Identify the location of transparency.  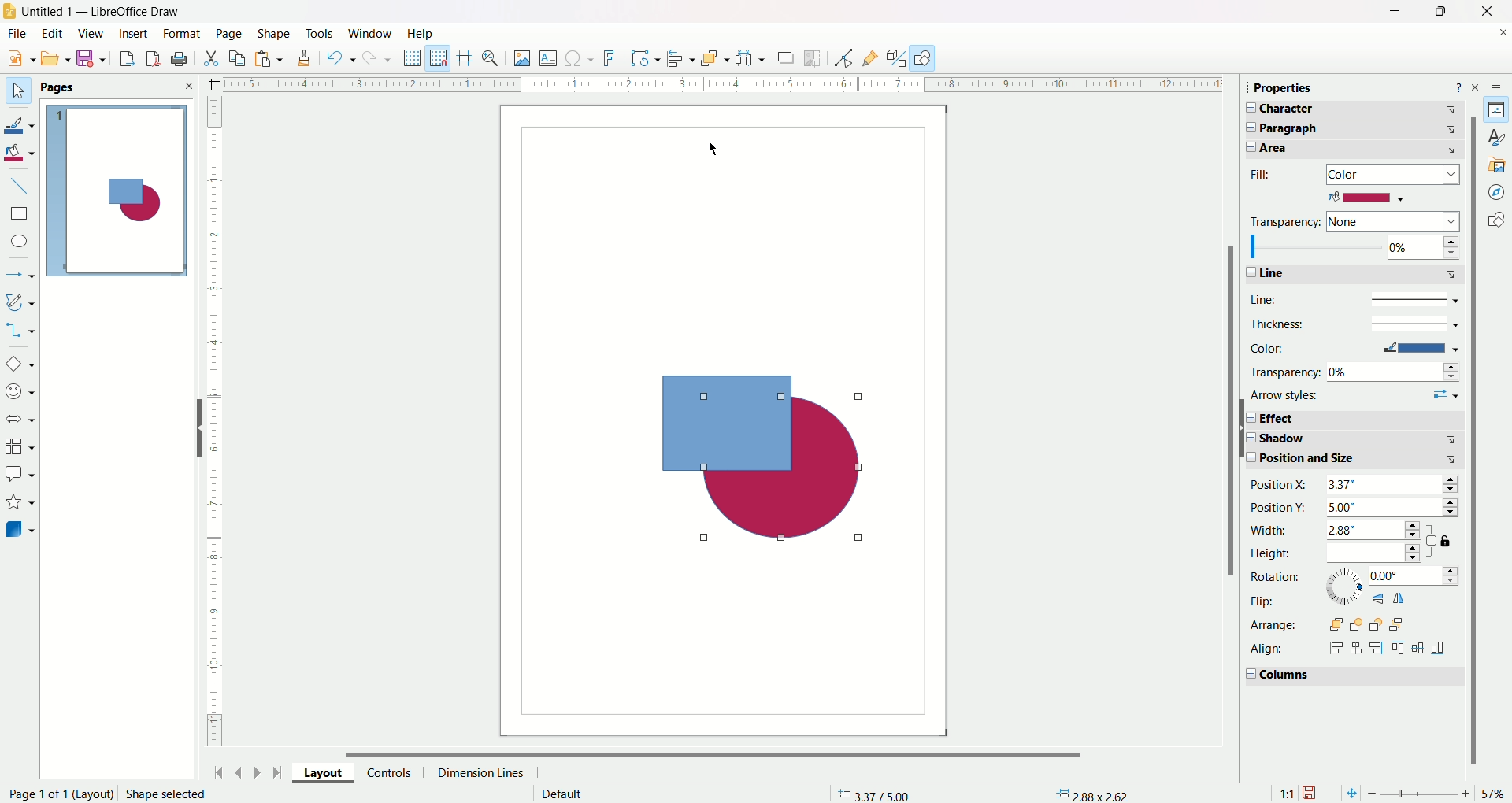
(1355, 371).